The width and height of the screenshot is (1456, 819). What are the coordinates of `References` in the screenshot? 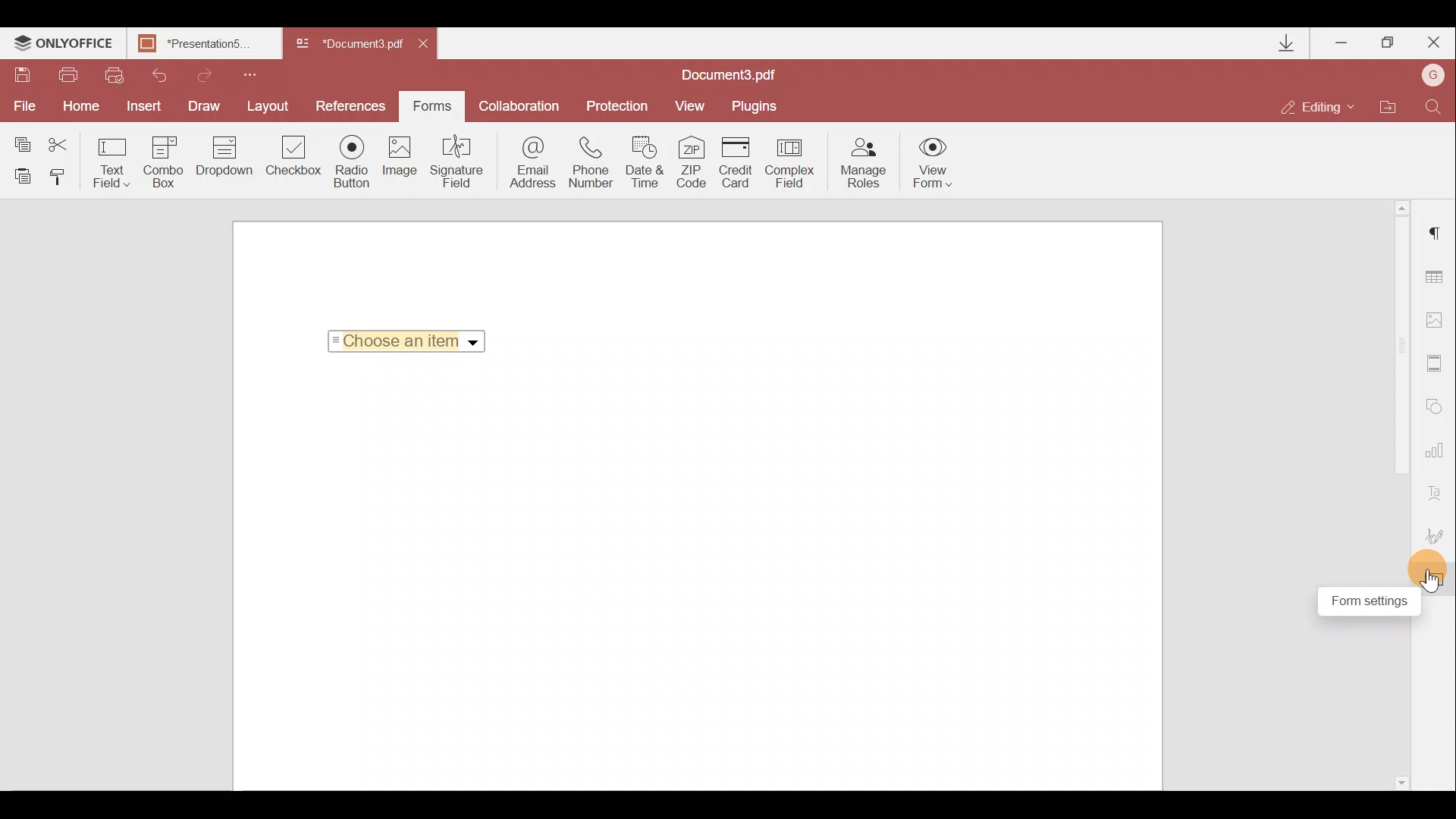 It's located at (353, 105).